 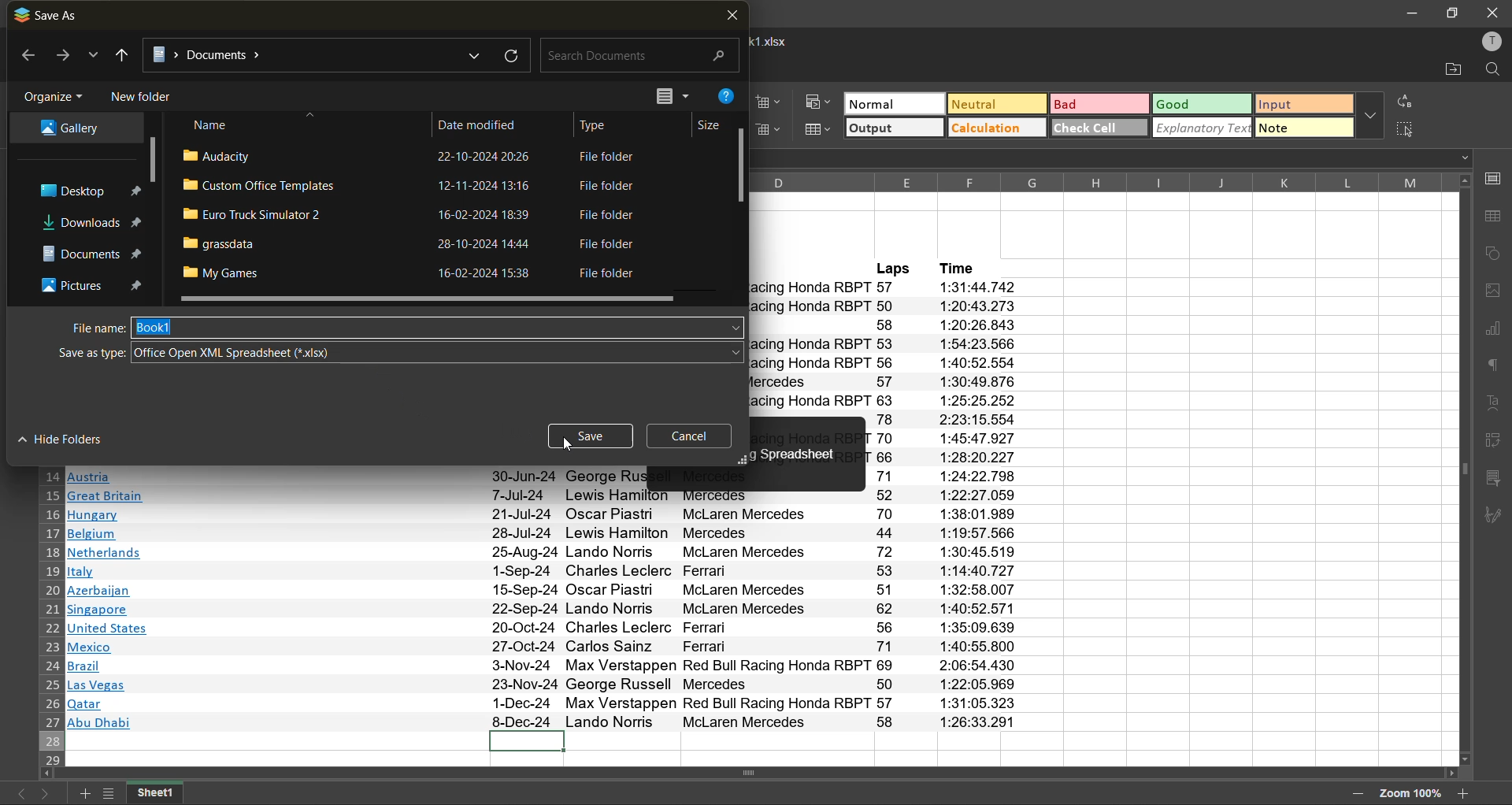 What do you see at coordinates (1498, 289) in the screenshot?
I see `image` at bounding box center [1498, 289].